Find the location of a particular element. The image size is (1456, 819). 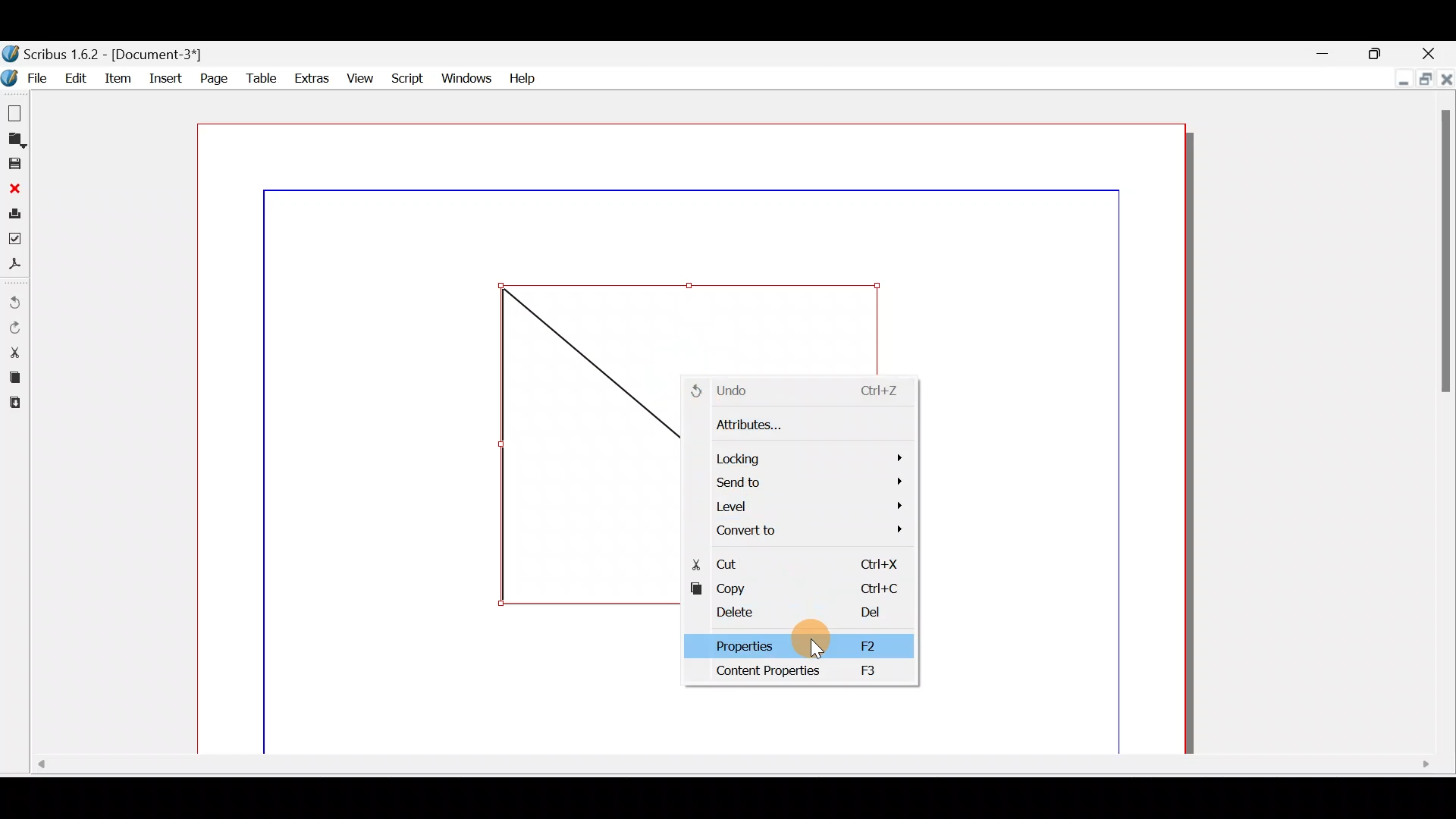

Close is located at coordinates (1446, 81).